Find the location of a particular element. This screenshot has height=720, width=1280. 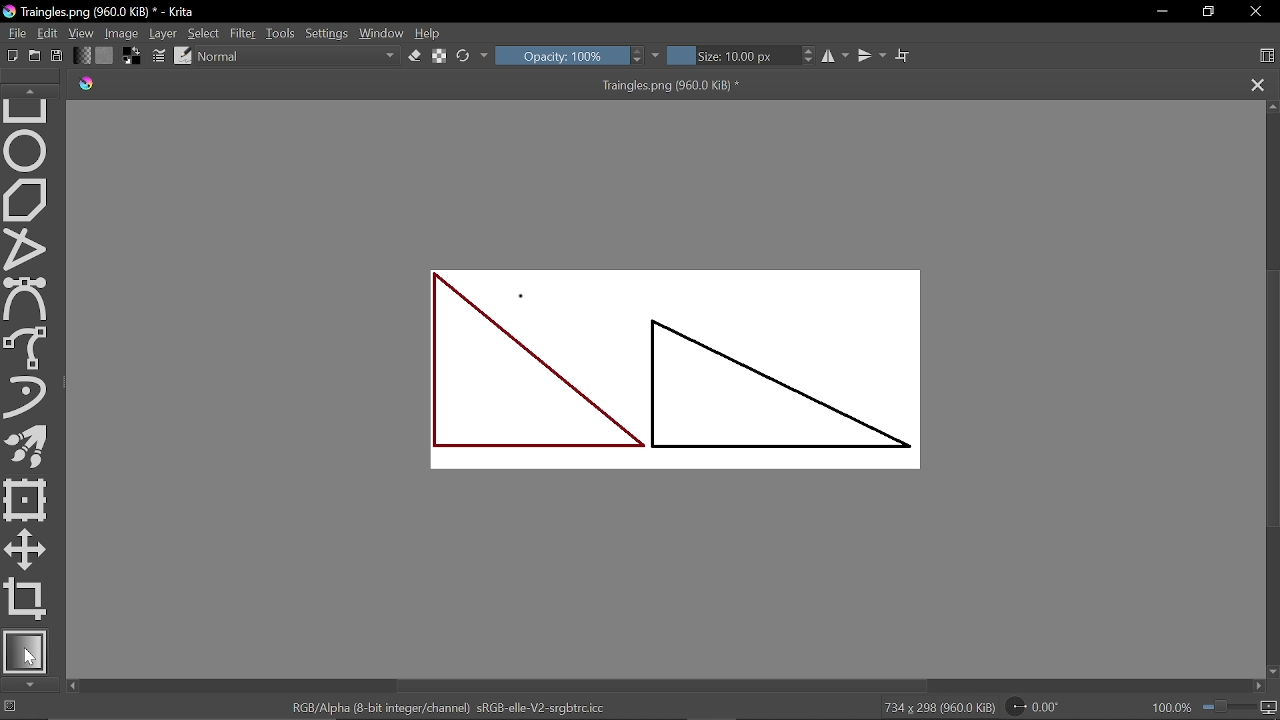

Vertical mirror is located at coordinates (872, 58).